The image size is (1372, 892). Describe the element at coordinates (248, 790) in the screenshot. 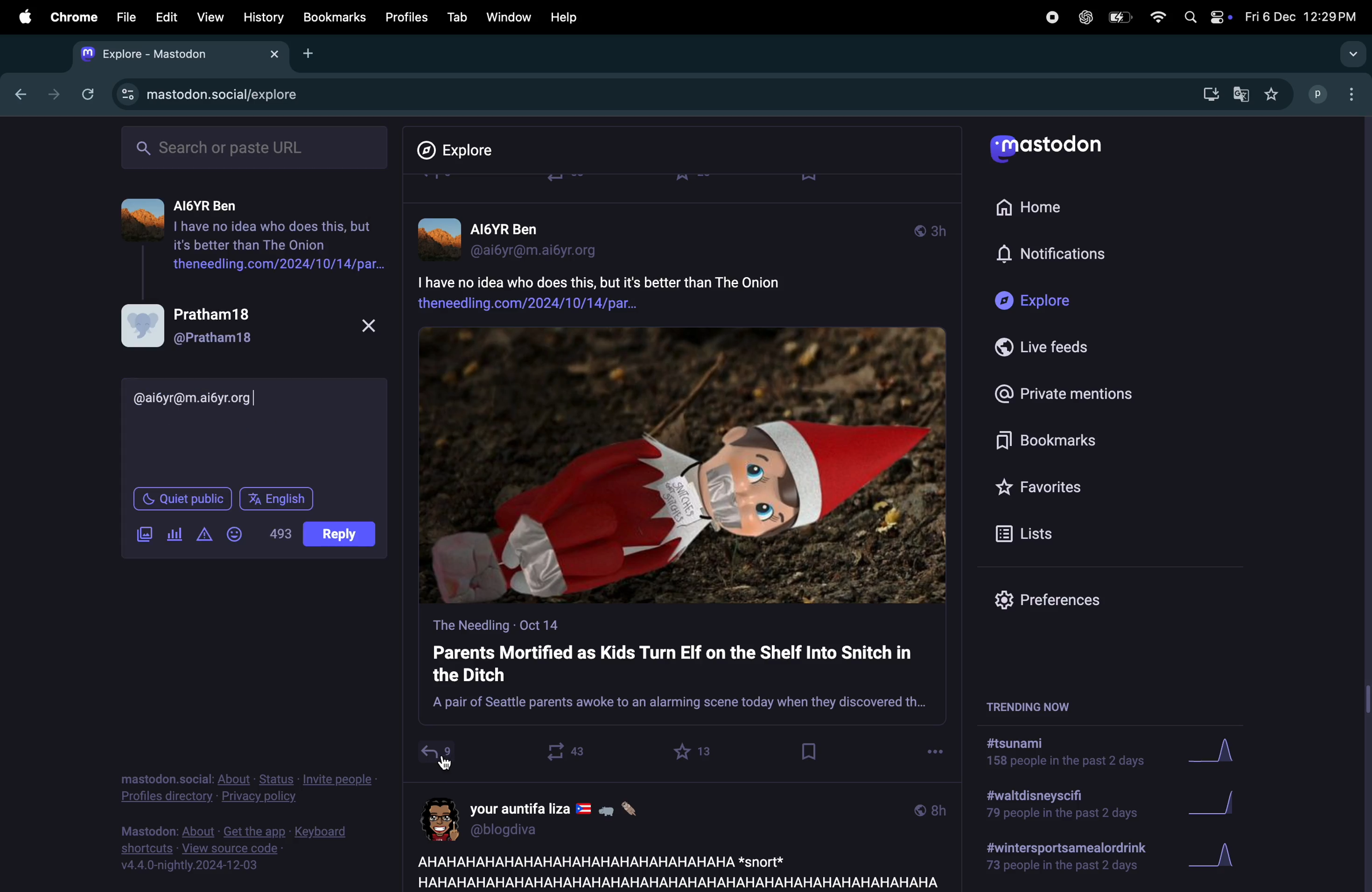

I see `privacy policy` at that location.